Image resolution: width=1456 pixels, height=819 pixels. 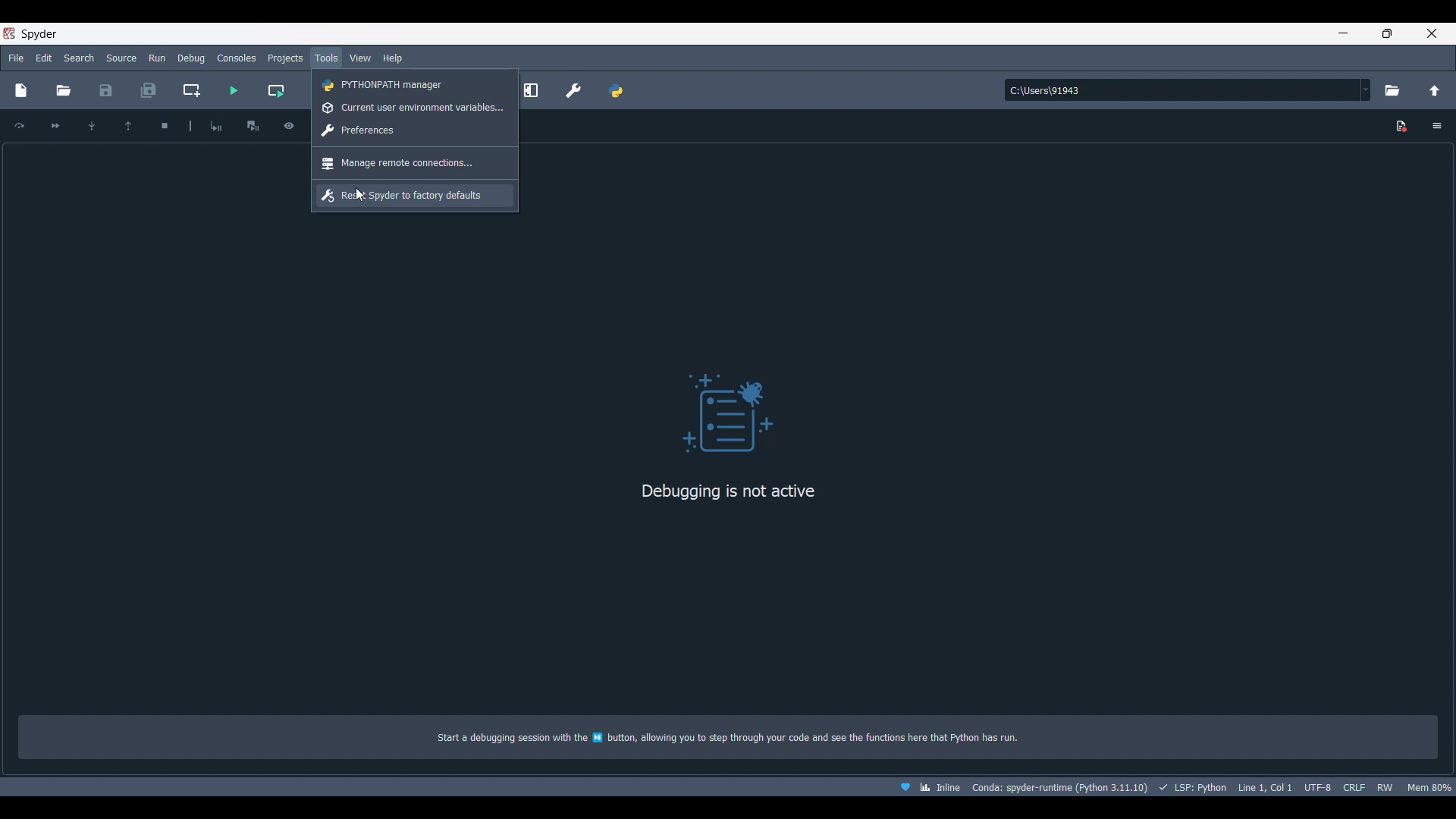 What do you see at coordinates (121, 58) in the screenshot?
I see `Source menu` at bounding box center [121, 58].